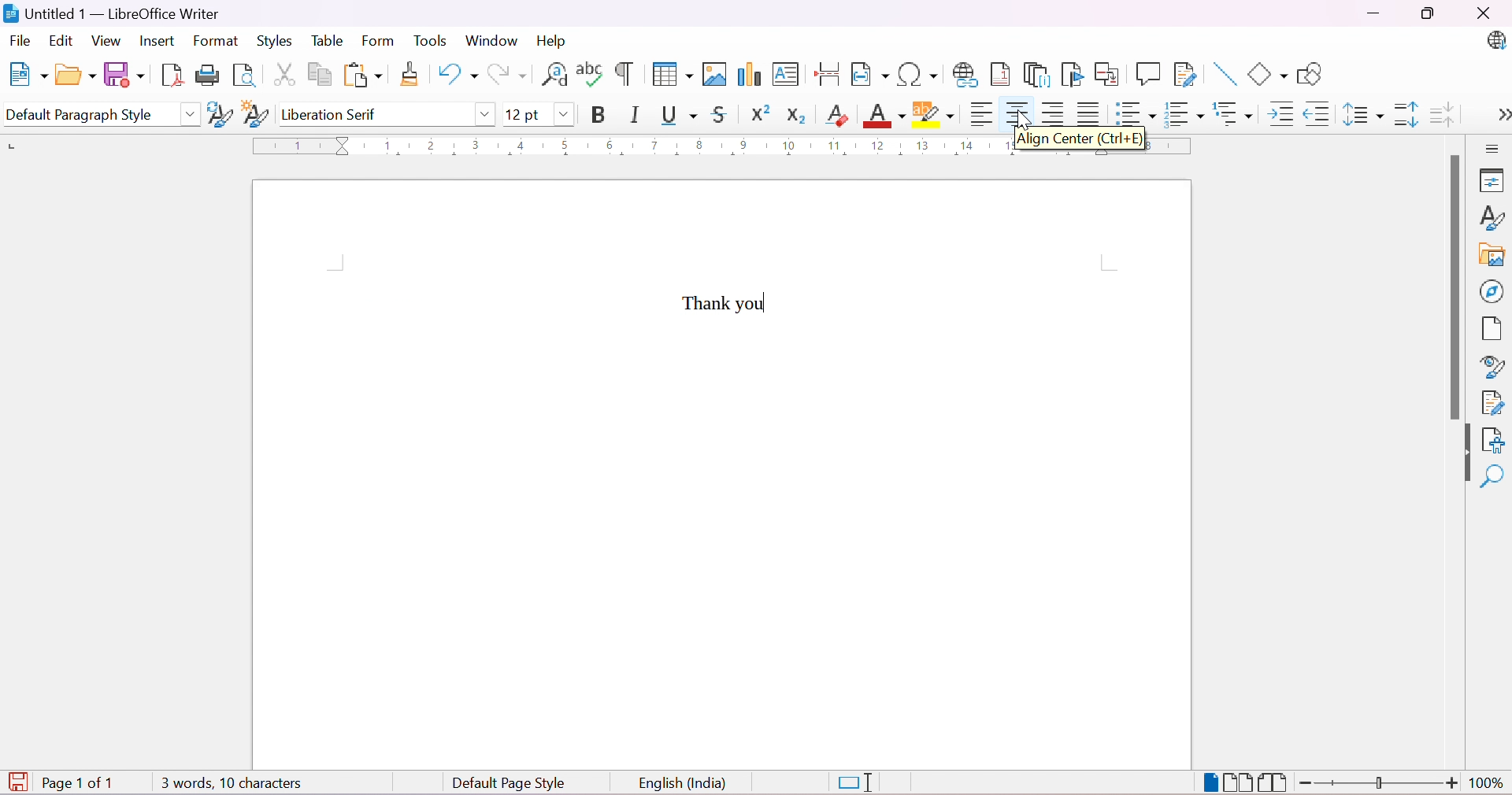  What do you see at coordinates (82, 784) in the screenshot?
I see `Page 1 of 1` at bounding box center [82, 784].